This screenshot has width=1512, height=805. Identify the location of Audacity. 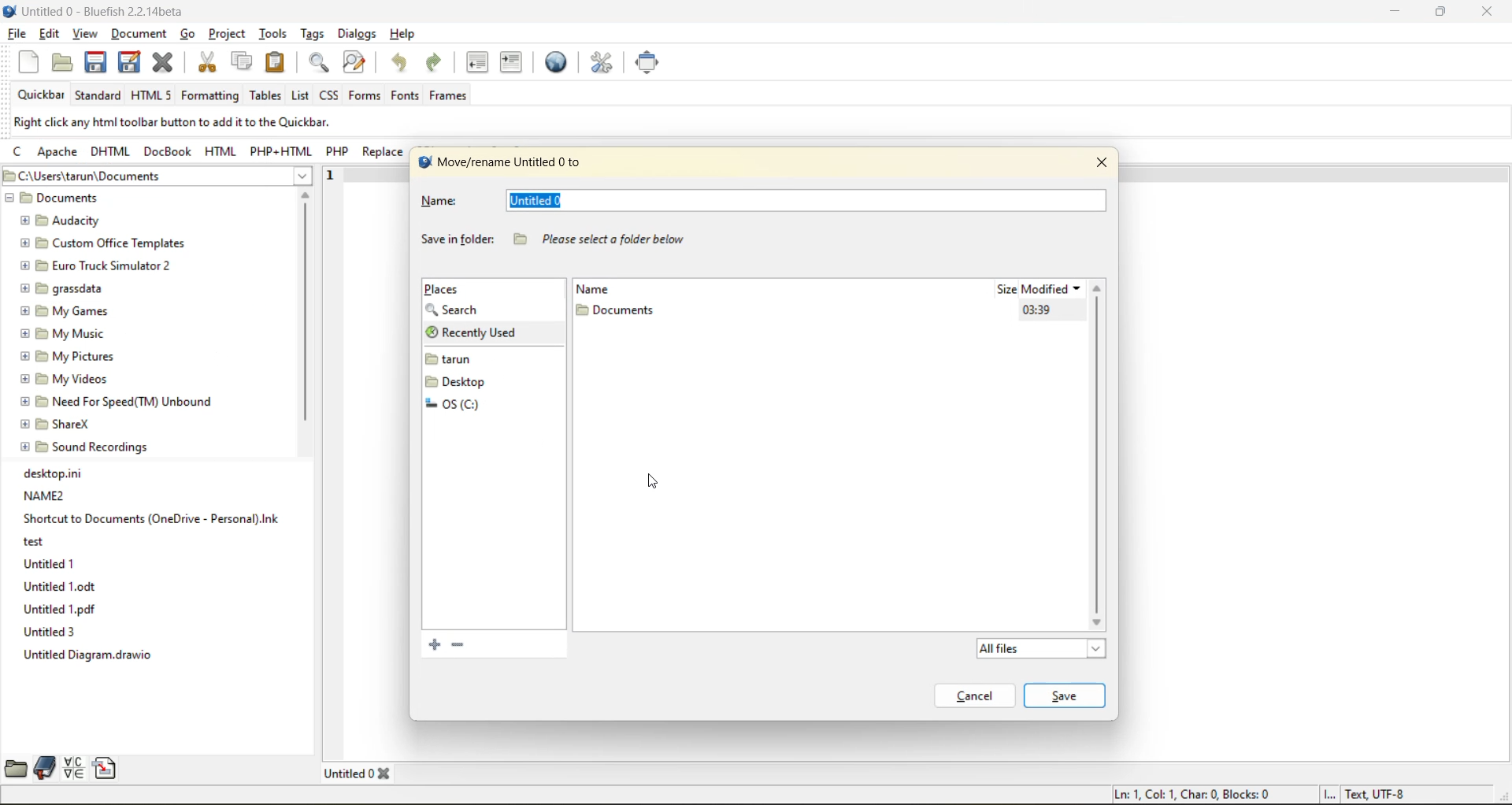
(63, 220).